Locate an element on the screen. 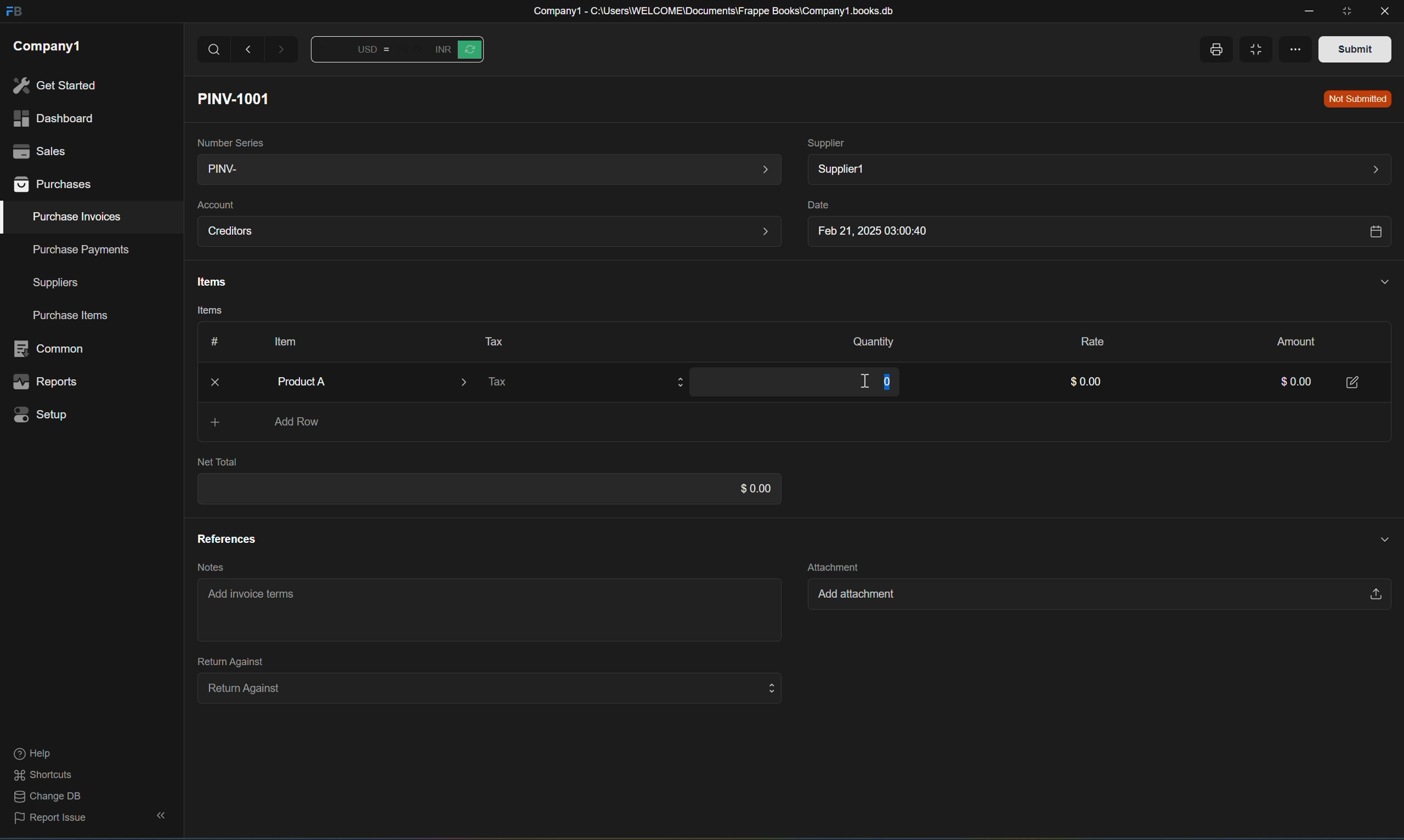  Rate is located at coordinates (1086, 339).